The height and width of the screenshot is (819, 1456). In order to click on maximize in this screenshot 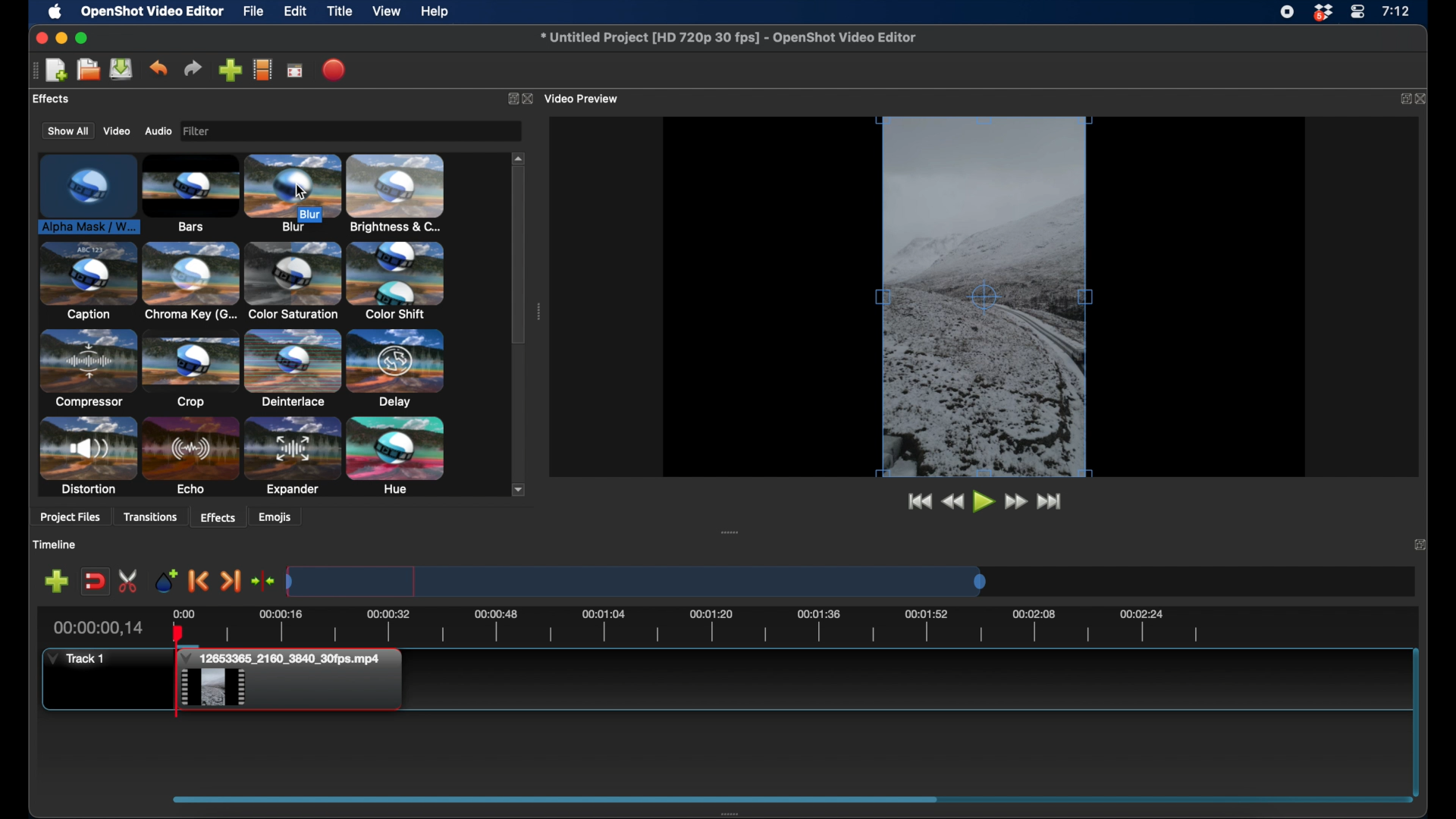, I will do `click(83, 39)`.